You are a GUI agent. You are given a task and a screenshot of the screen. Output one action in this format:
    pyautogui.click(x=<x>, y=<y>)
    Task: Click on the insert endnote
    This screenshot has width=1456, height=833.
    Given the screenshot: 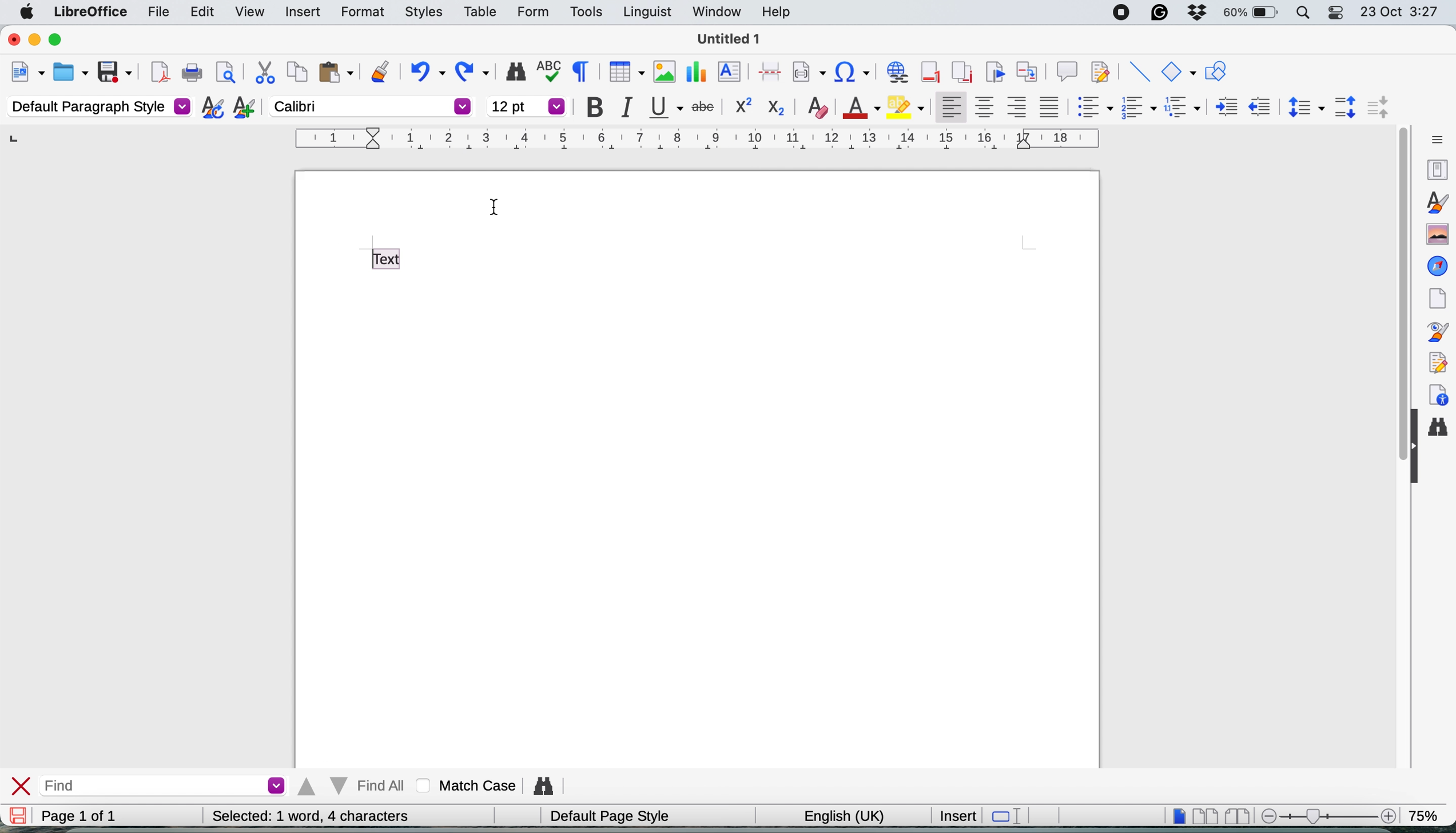 What is the action you would take?
    pyautogui.click(x=959, y=73)
    